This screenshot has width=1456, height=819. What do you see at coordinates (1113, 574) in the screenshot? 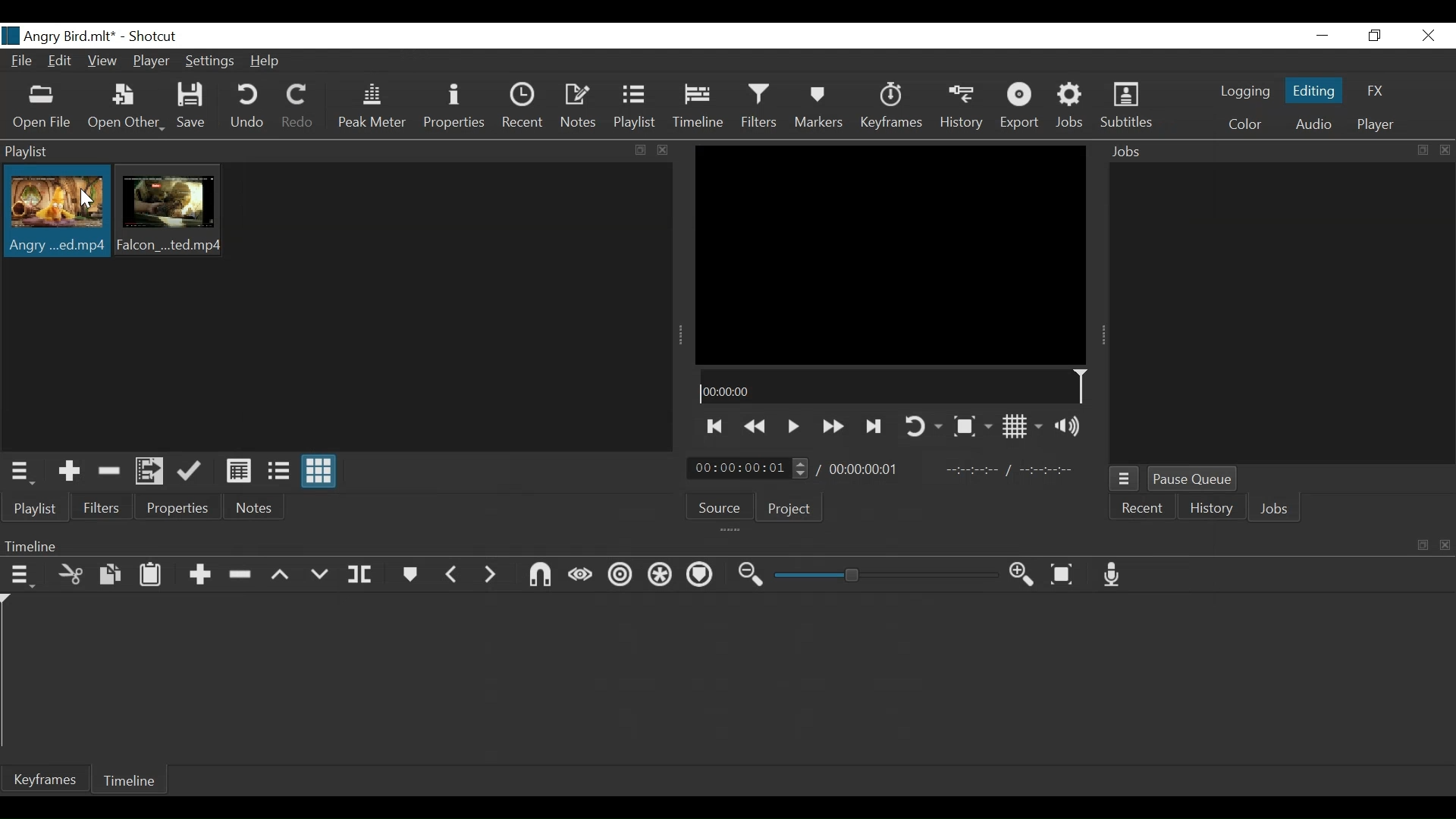
I see `Record audio` at bounding box center [1113, 574].